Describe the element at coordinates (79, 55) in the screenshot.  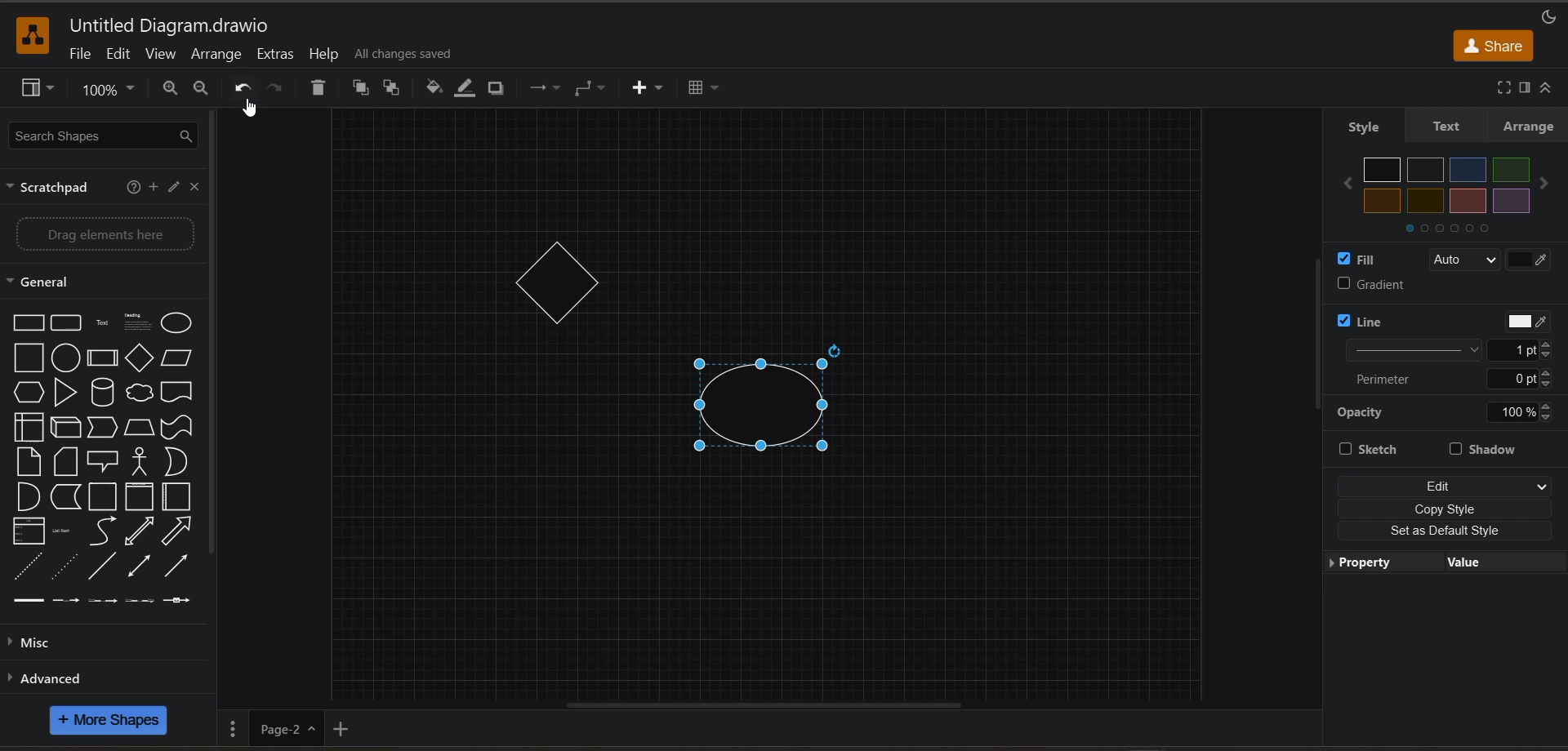
I see `file` at that location.